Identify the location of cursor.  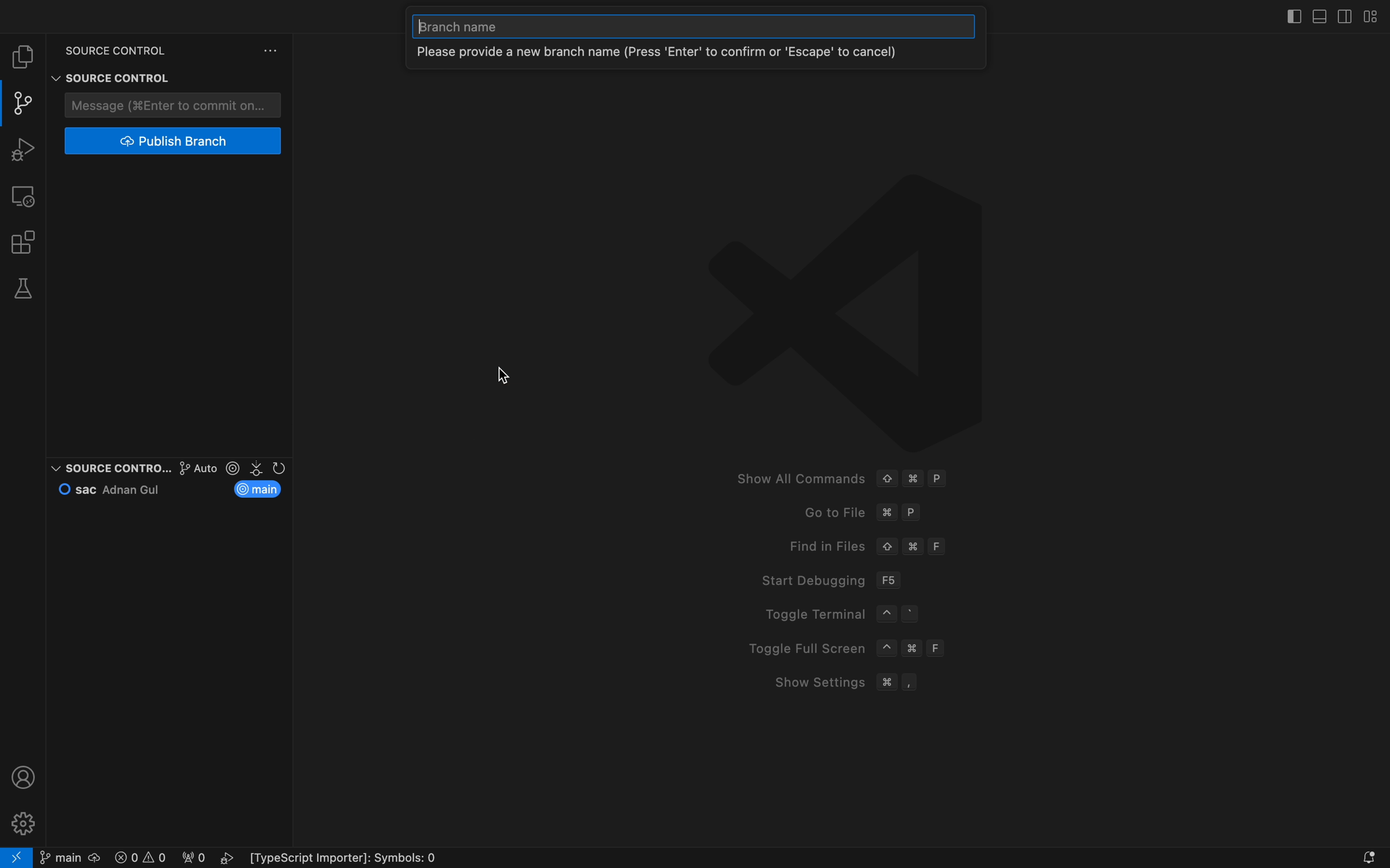
(502, 377).